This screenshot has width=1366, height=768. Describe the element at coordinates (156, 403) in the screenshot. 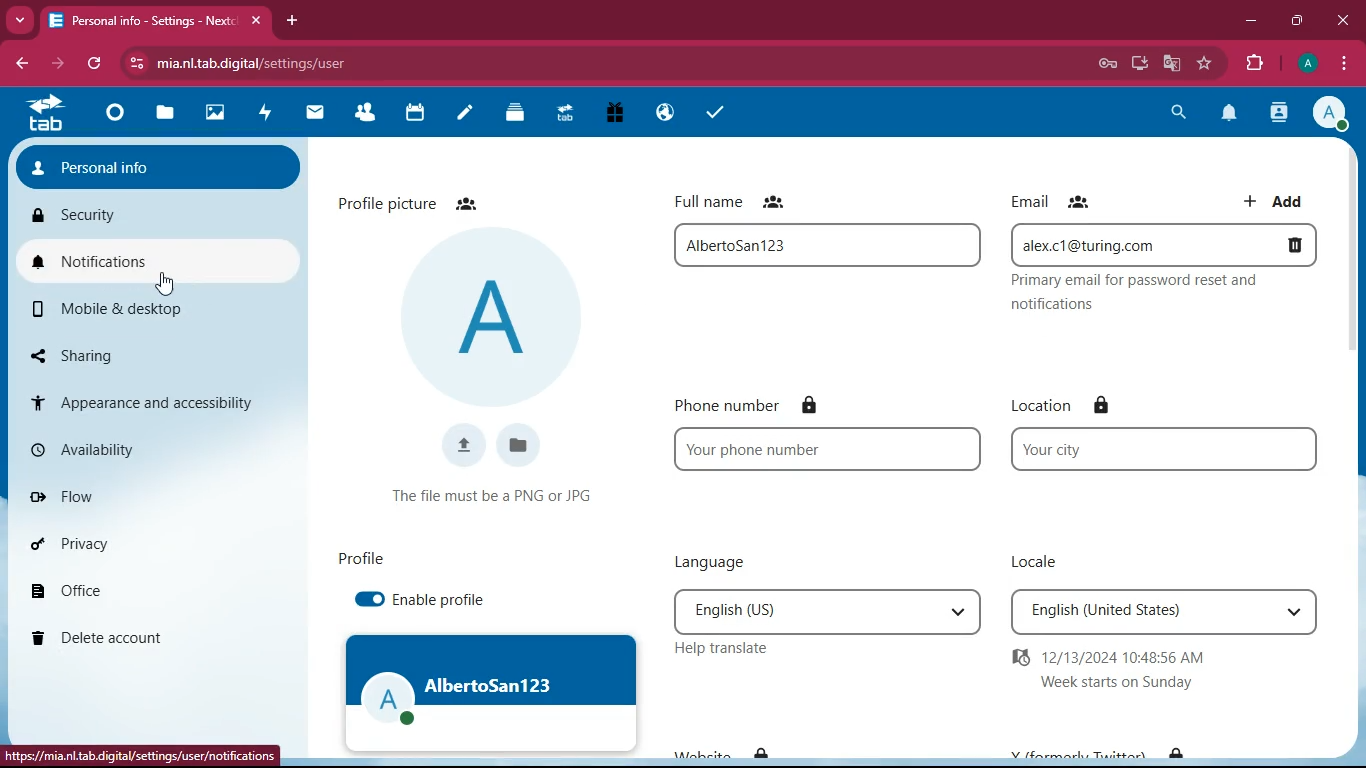

I see `appearance and accessibility` at that location.